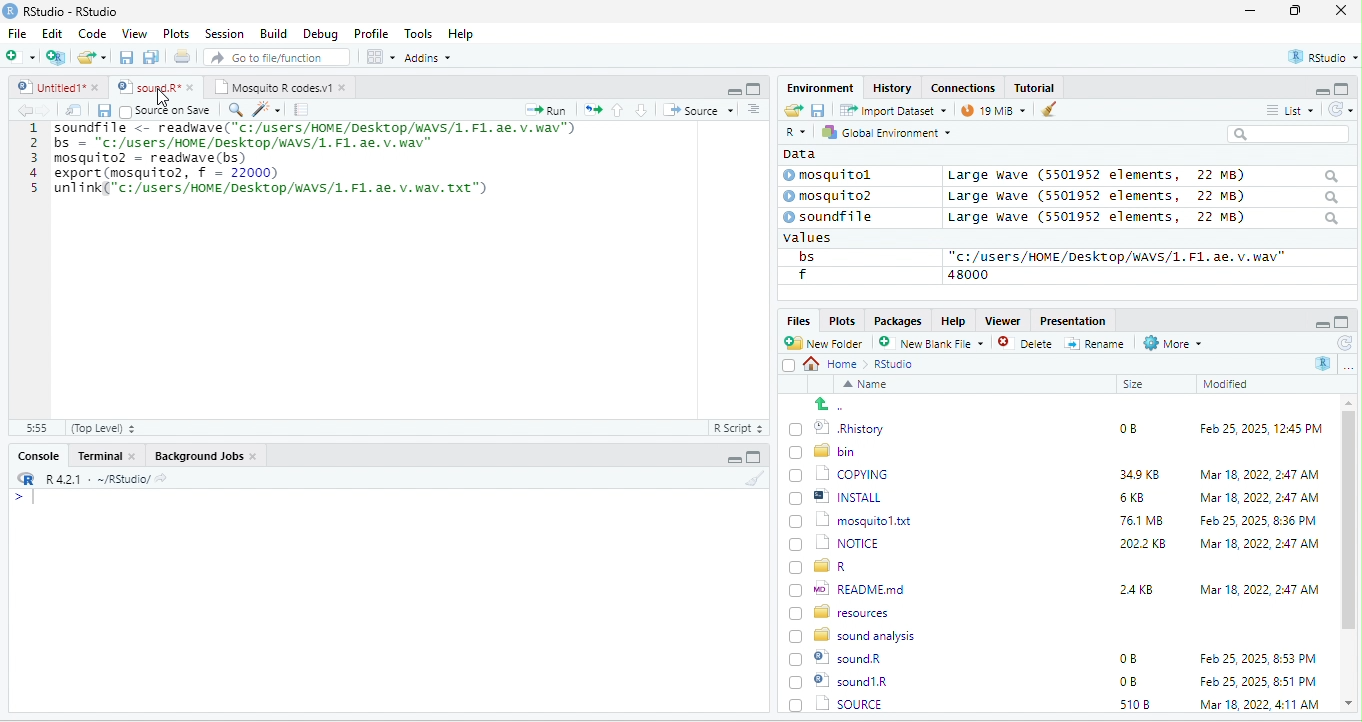 The image size is (1362, 722). Describe the element at coordinates (1144, 219) in the screenshot. I see `Large wave (5501952 elements, 22 MB)` at that location.